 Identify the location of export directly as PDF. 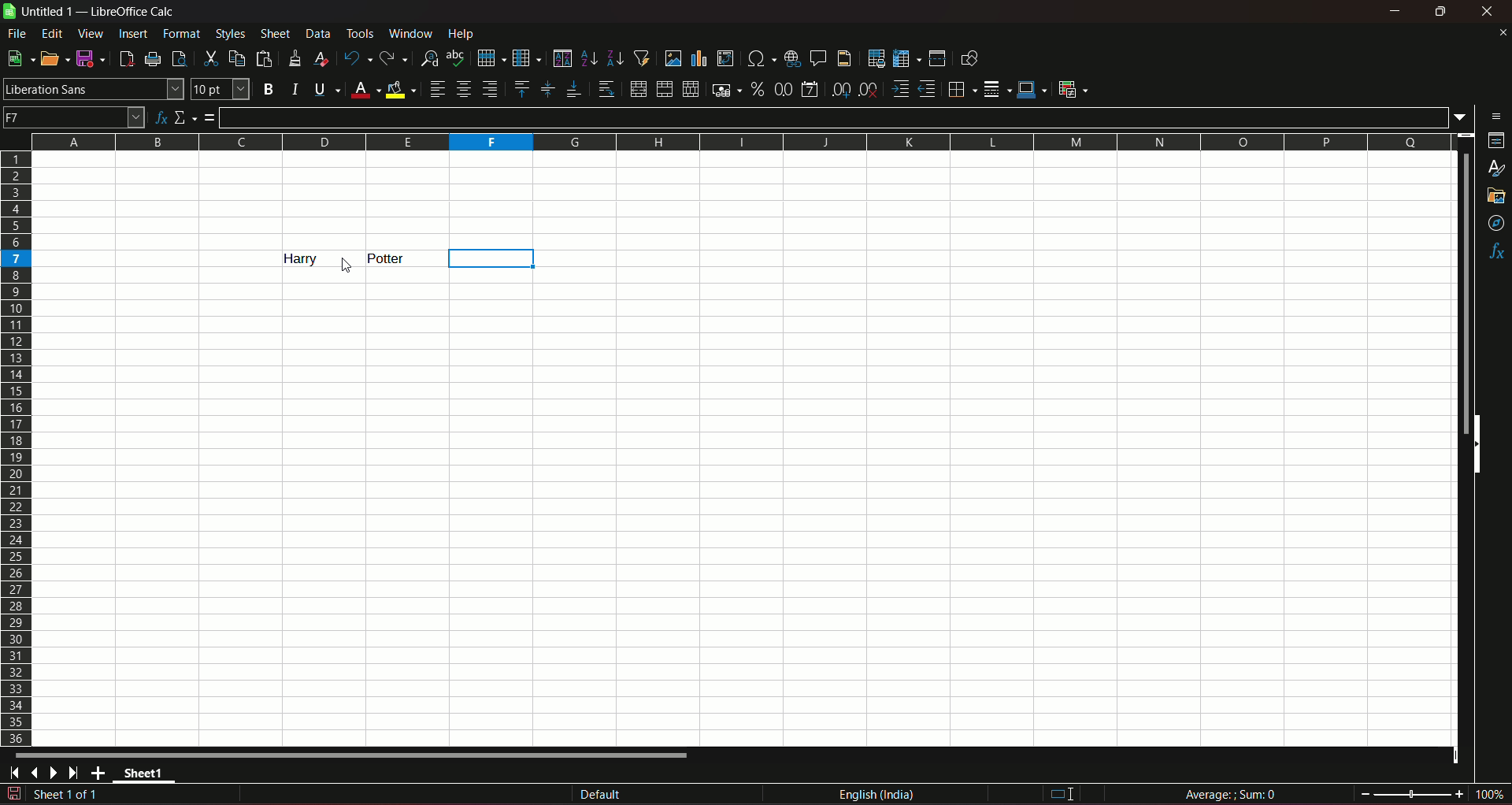
(125, 57).